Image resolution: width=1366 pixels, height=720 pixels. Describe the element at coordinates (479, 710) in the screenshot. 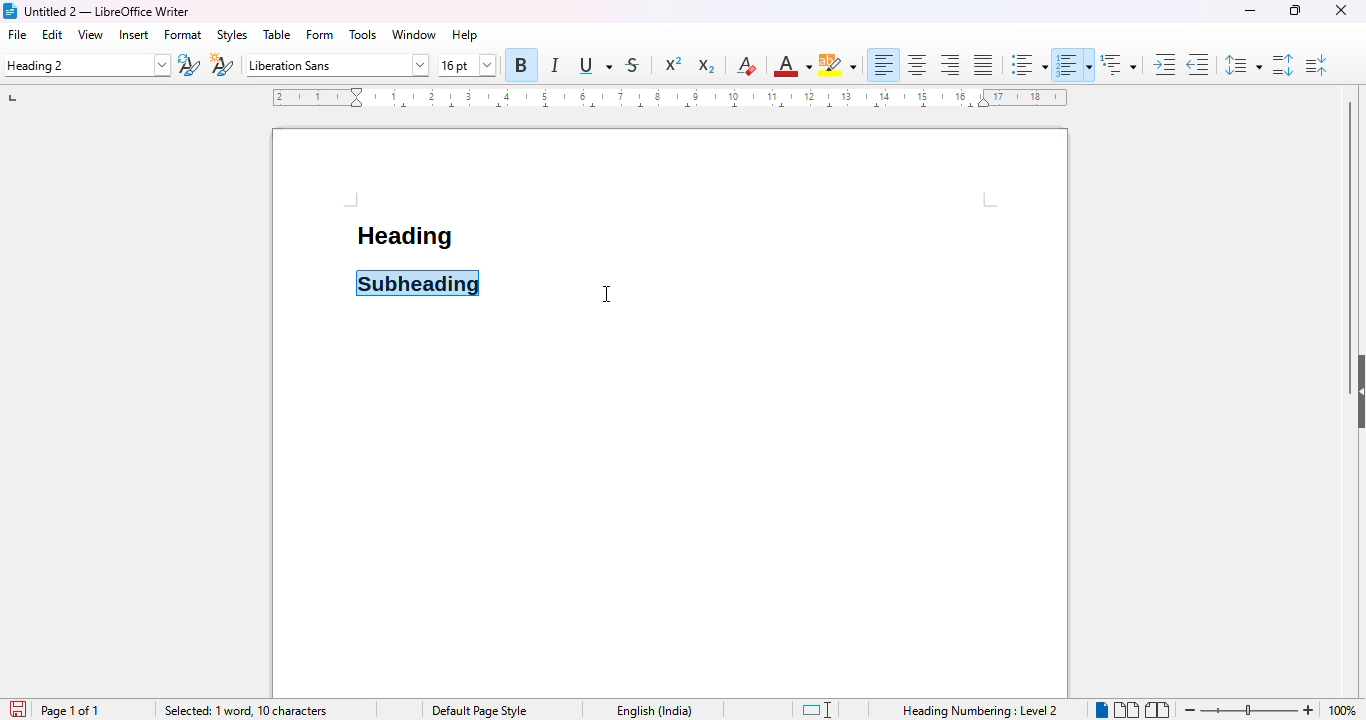

I see `page style` at that location.